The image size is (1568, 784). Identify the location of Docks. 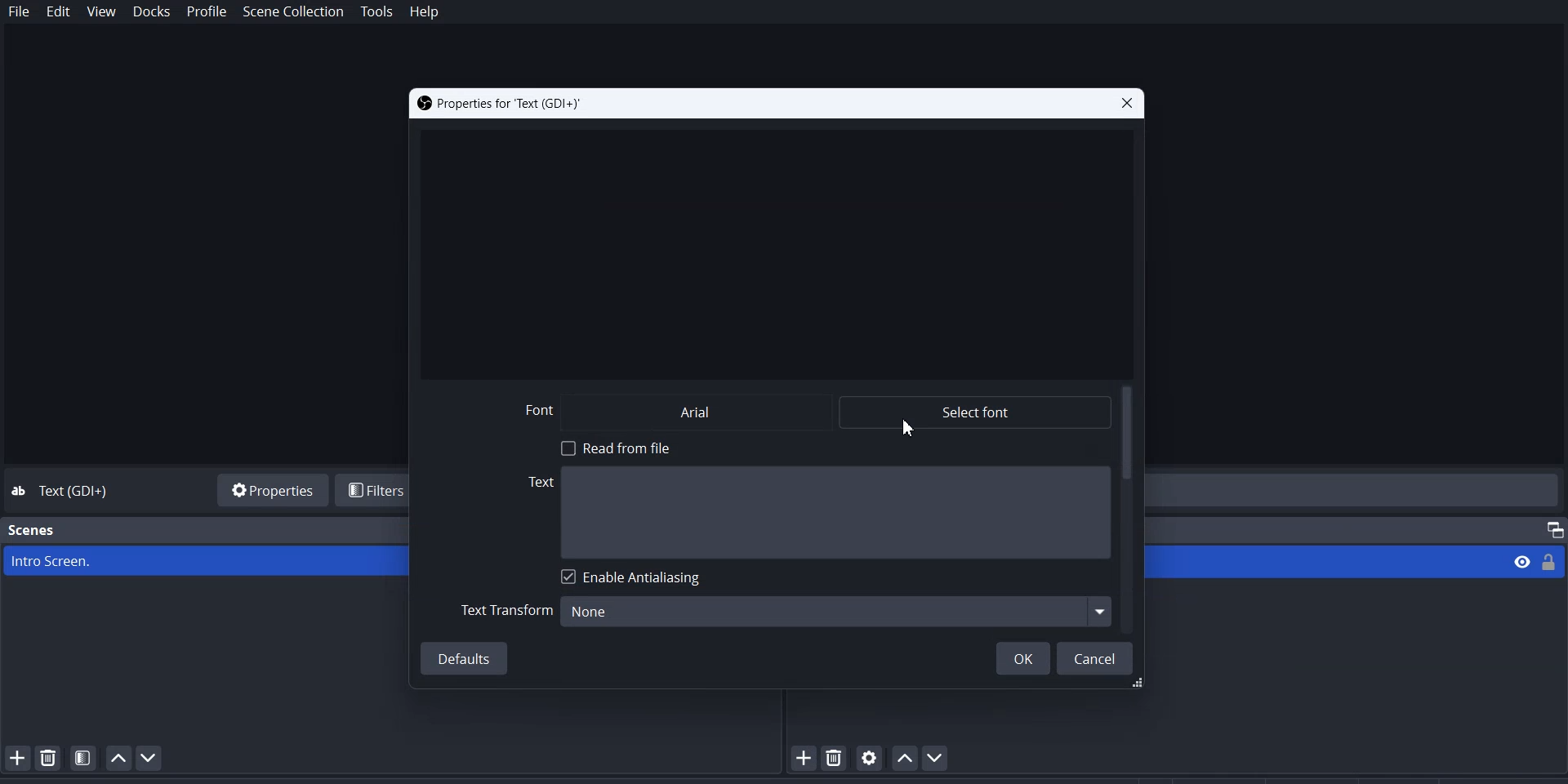
(151, 12).